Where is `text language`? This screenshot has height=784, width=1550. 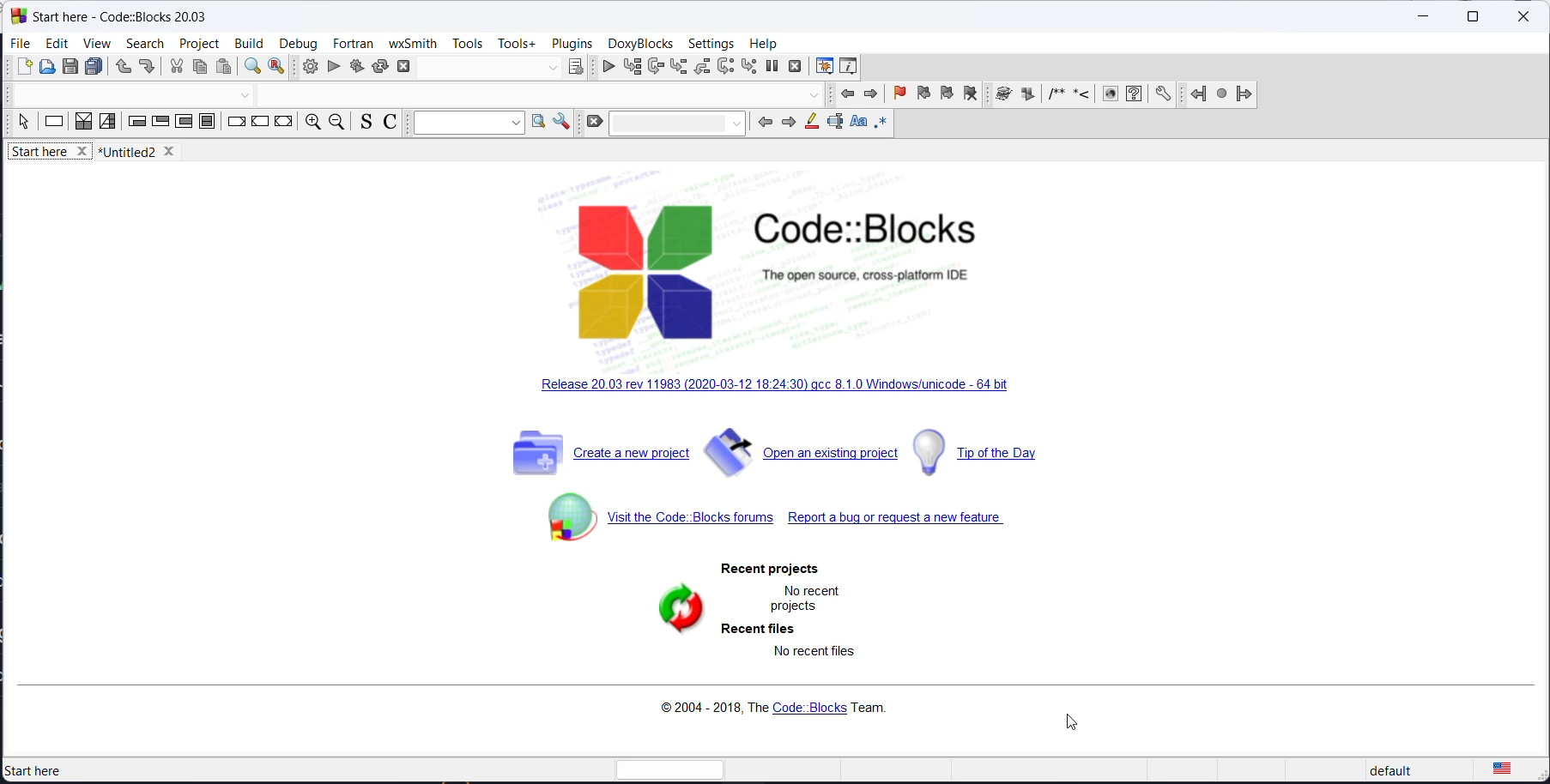
text language is located at coordinates (1503, 769).